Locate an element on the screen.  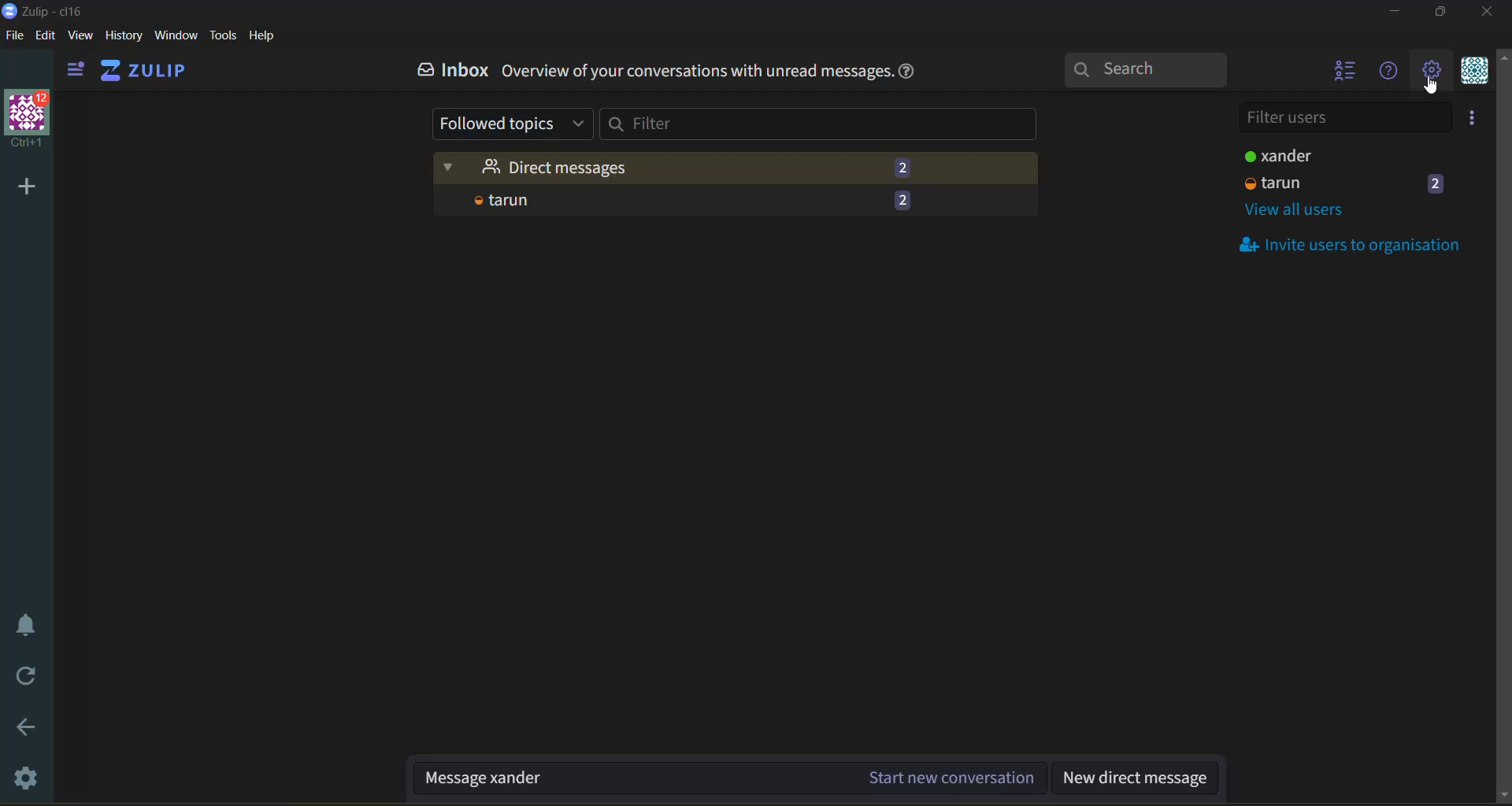
user and message count is located at coordinates (736, 201).